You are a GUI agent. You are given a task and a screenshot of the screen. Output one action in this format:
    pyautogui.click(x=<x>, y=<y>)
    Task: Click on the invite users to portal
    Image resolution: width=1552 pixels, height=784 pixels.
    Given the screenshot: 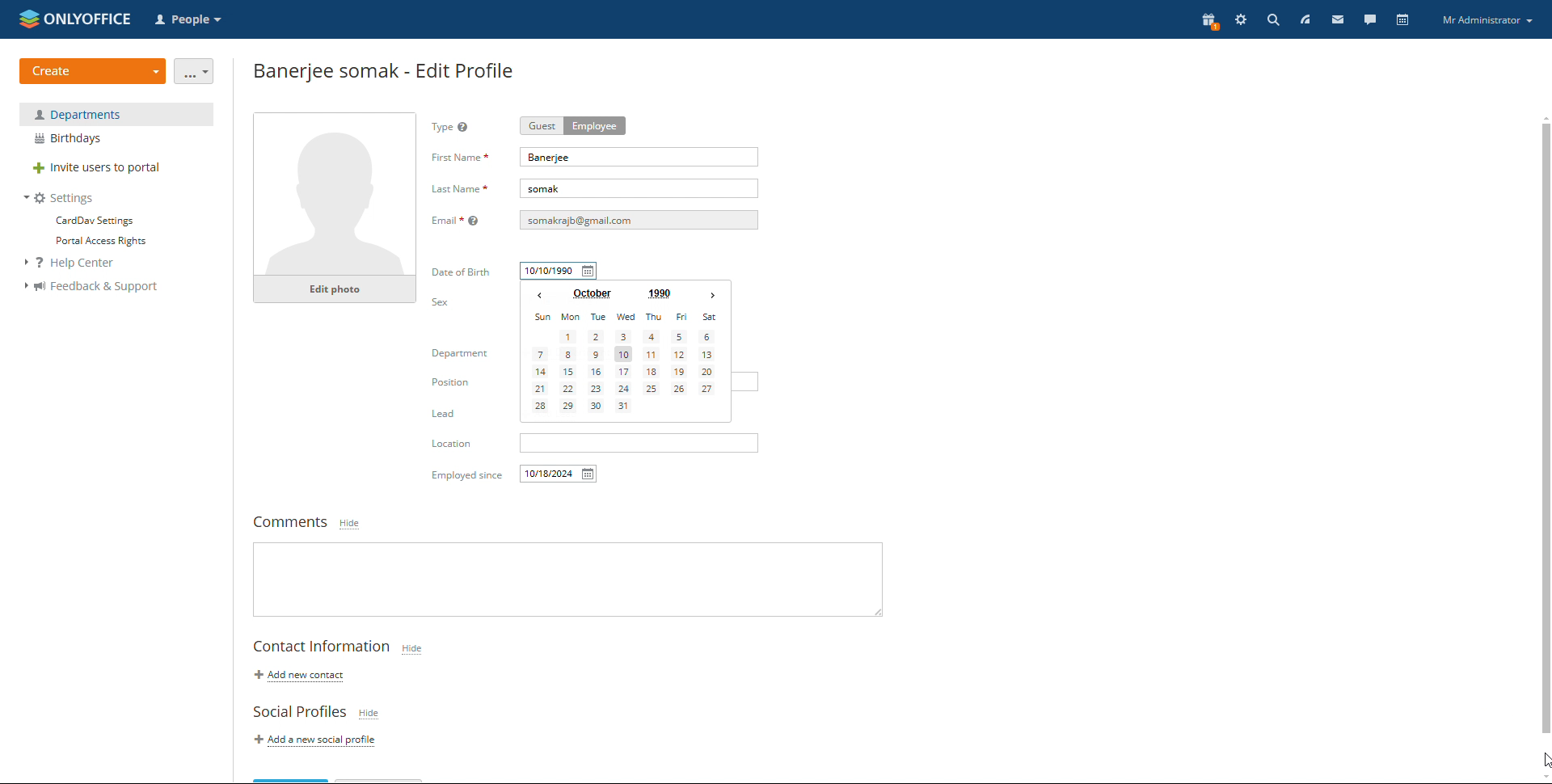 What is the action you would take?
    pyautogui.click(x=116, y=169)
    